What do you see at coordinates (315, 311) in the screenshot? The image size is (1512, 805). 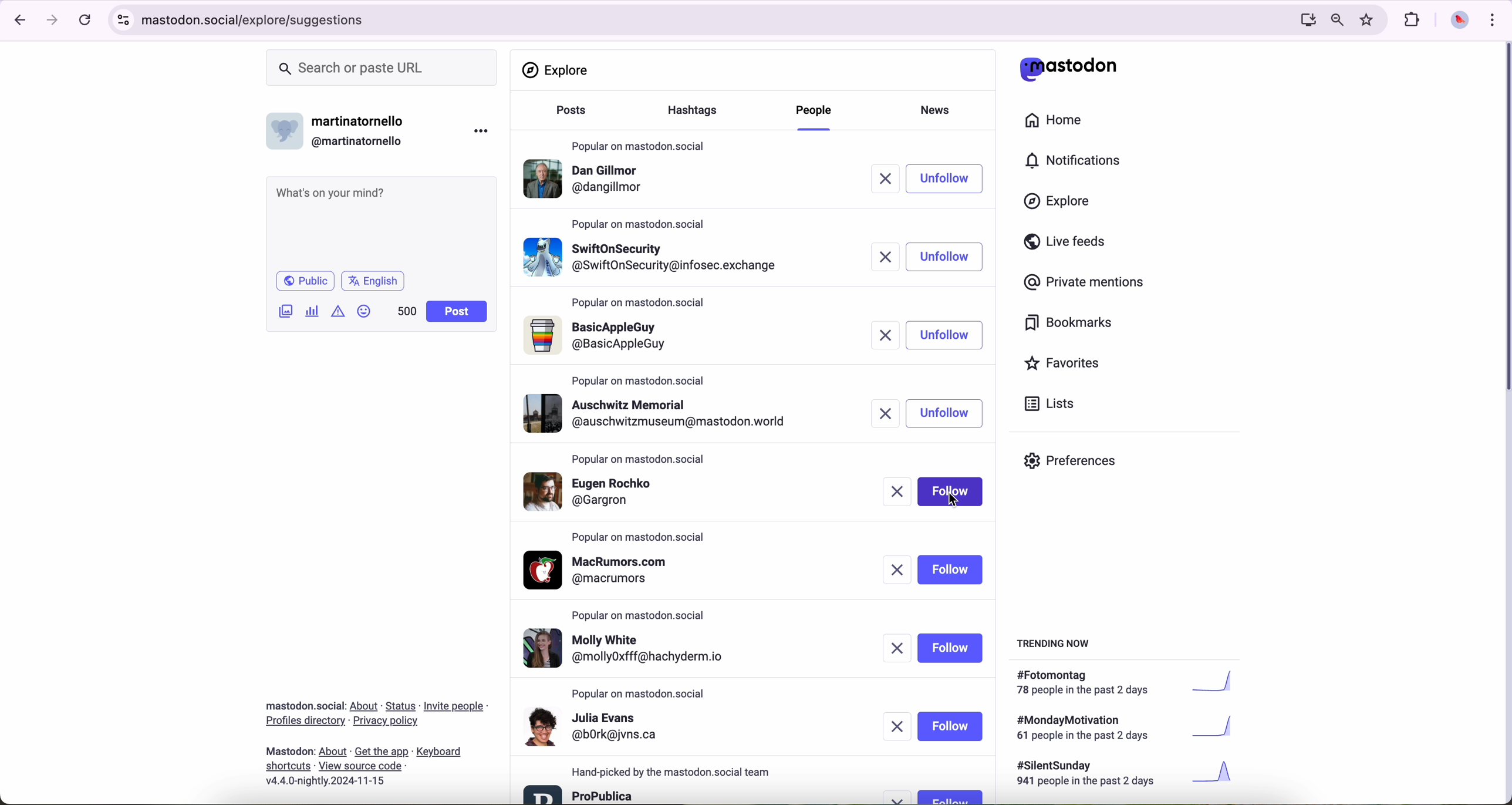 I see `charts` at bounding box center [315, 311].